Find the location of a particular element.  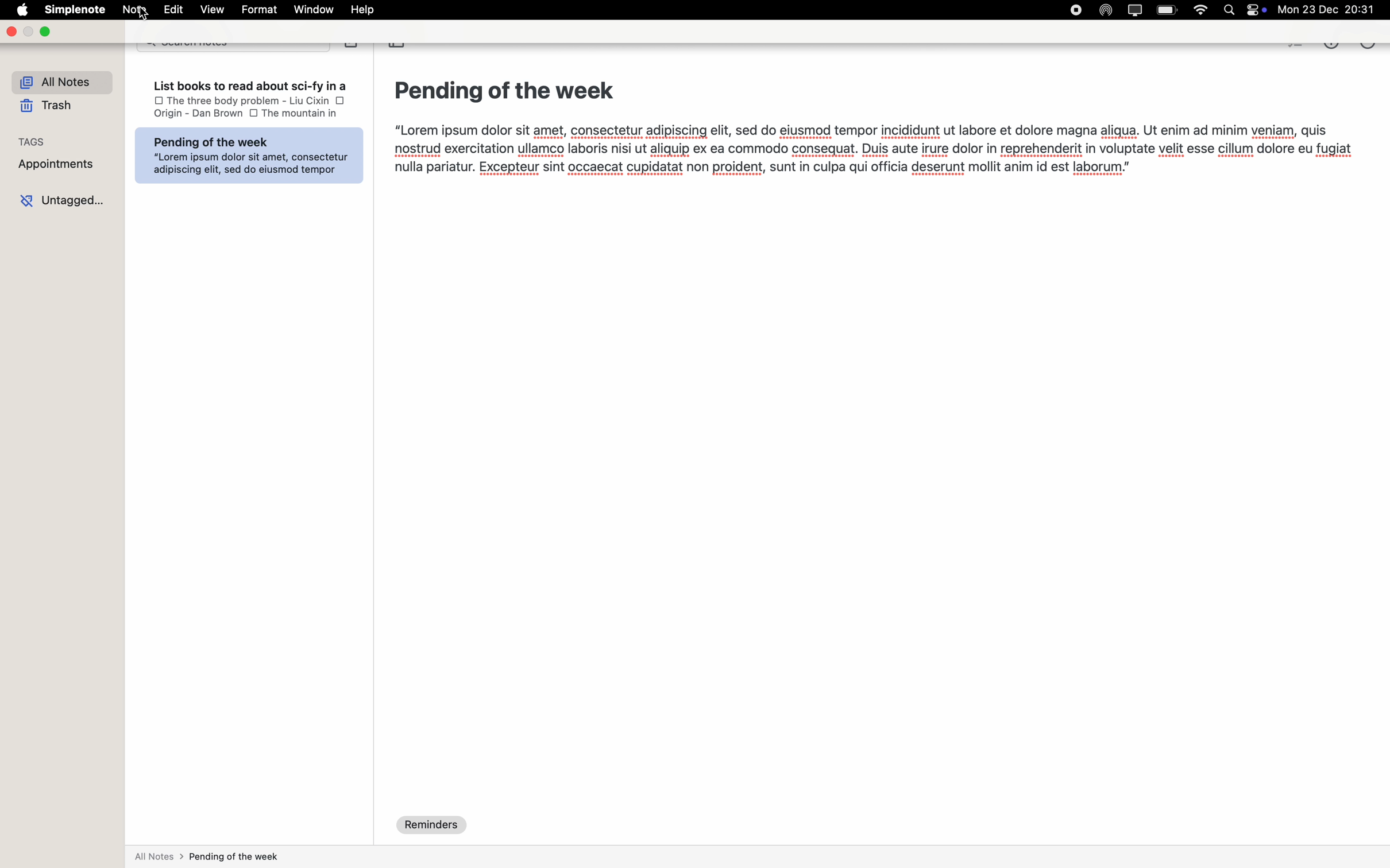

untagged is located at coordinates (64, 201).